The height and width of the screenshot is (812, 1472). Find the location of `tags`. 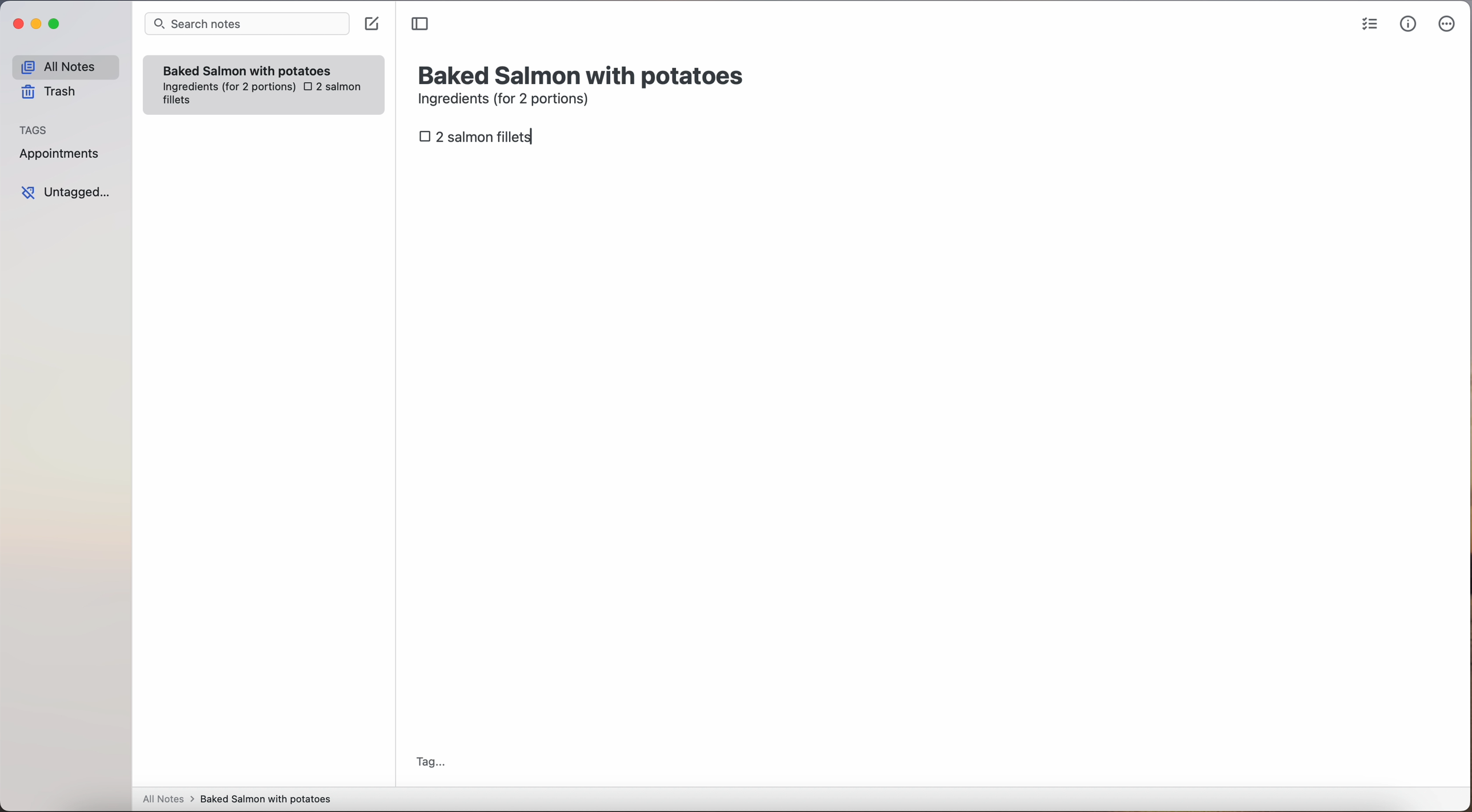

tags is located at coordinates (34, 129).